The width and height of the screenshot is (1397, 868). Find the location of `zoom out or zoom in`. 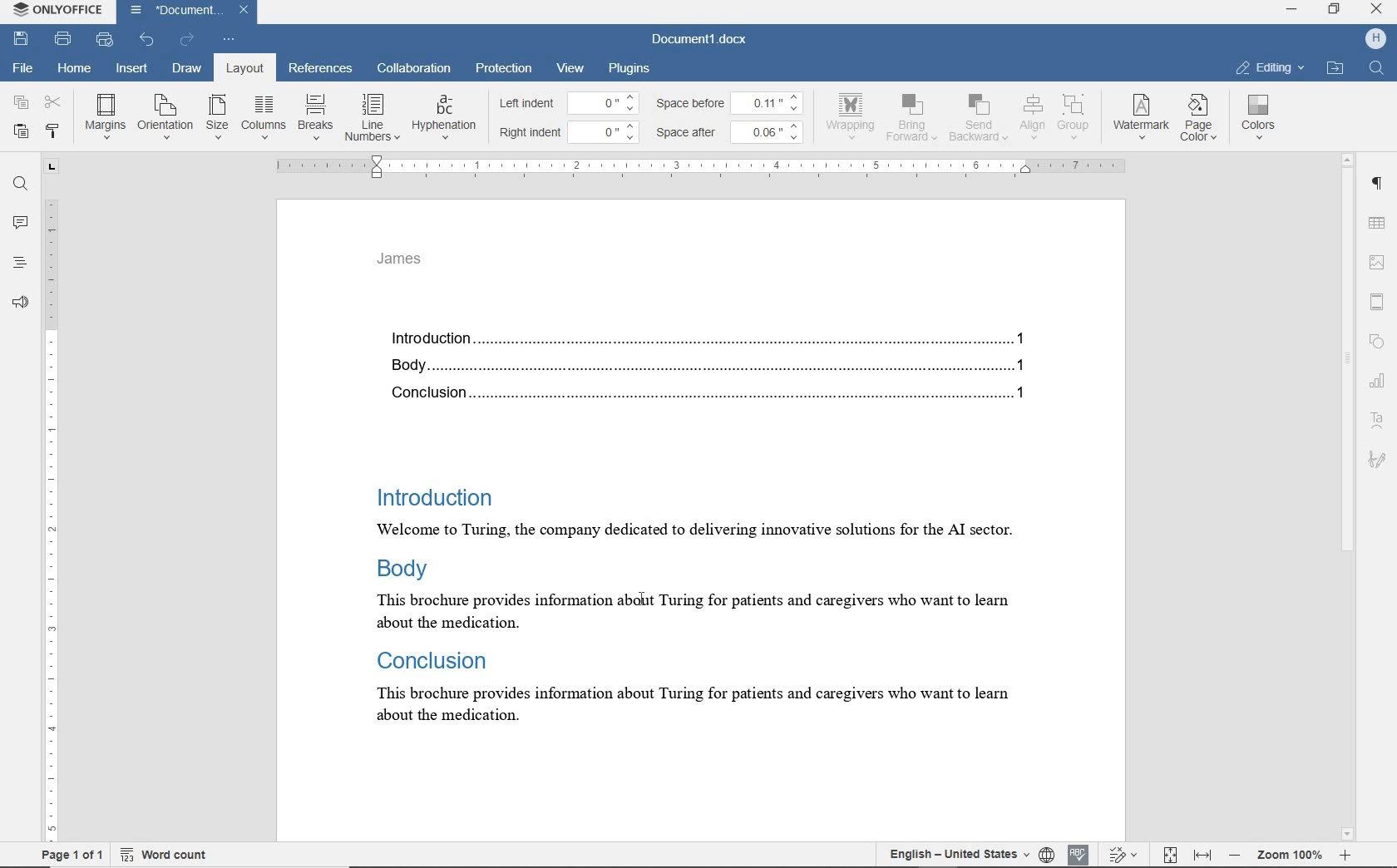

zoom out or zoom in is located at coordinates (1290, 854).